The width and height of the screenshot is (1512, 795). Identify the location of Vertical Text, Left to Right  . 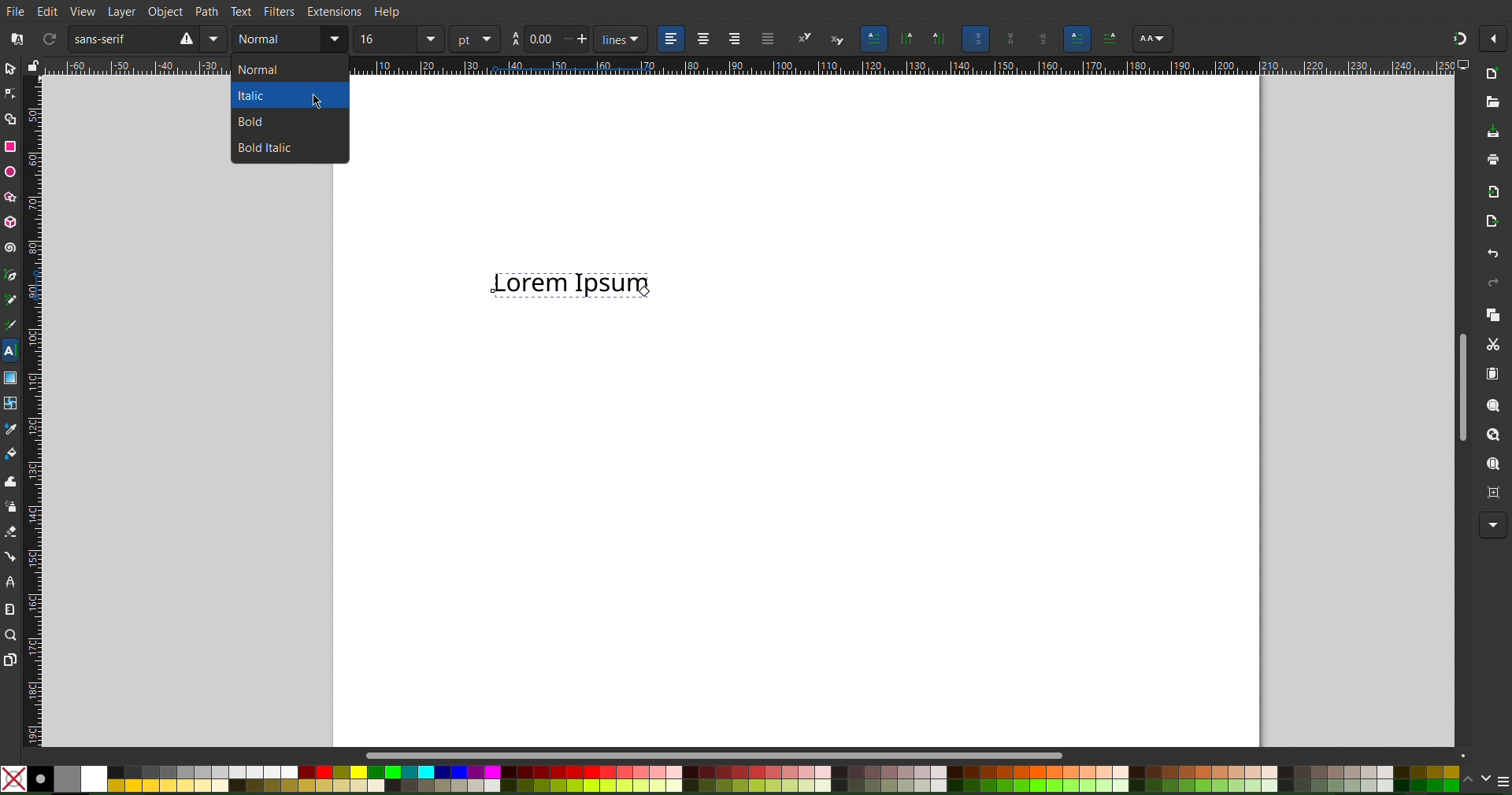
(938, 40).